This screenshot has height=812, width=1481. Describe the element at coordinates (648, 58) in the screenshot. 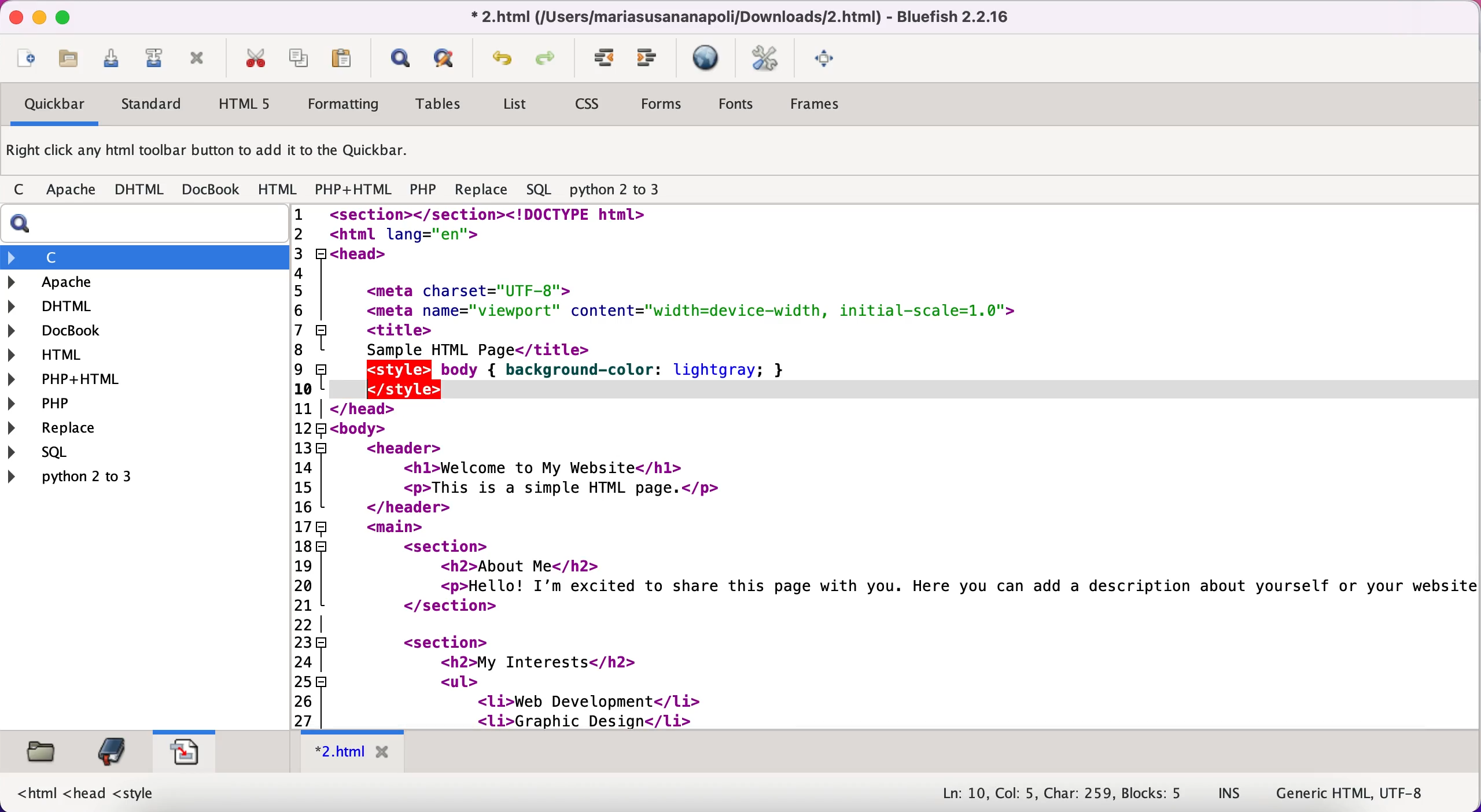

I see `unindent` at that location.